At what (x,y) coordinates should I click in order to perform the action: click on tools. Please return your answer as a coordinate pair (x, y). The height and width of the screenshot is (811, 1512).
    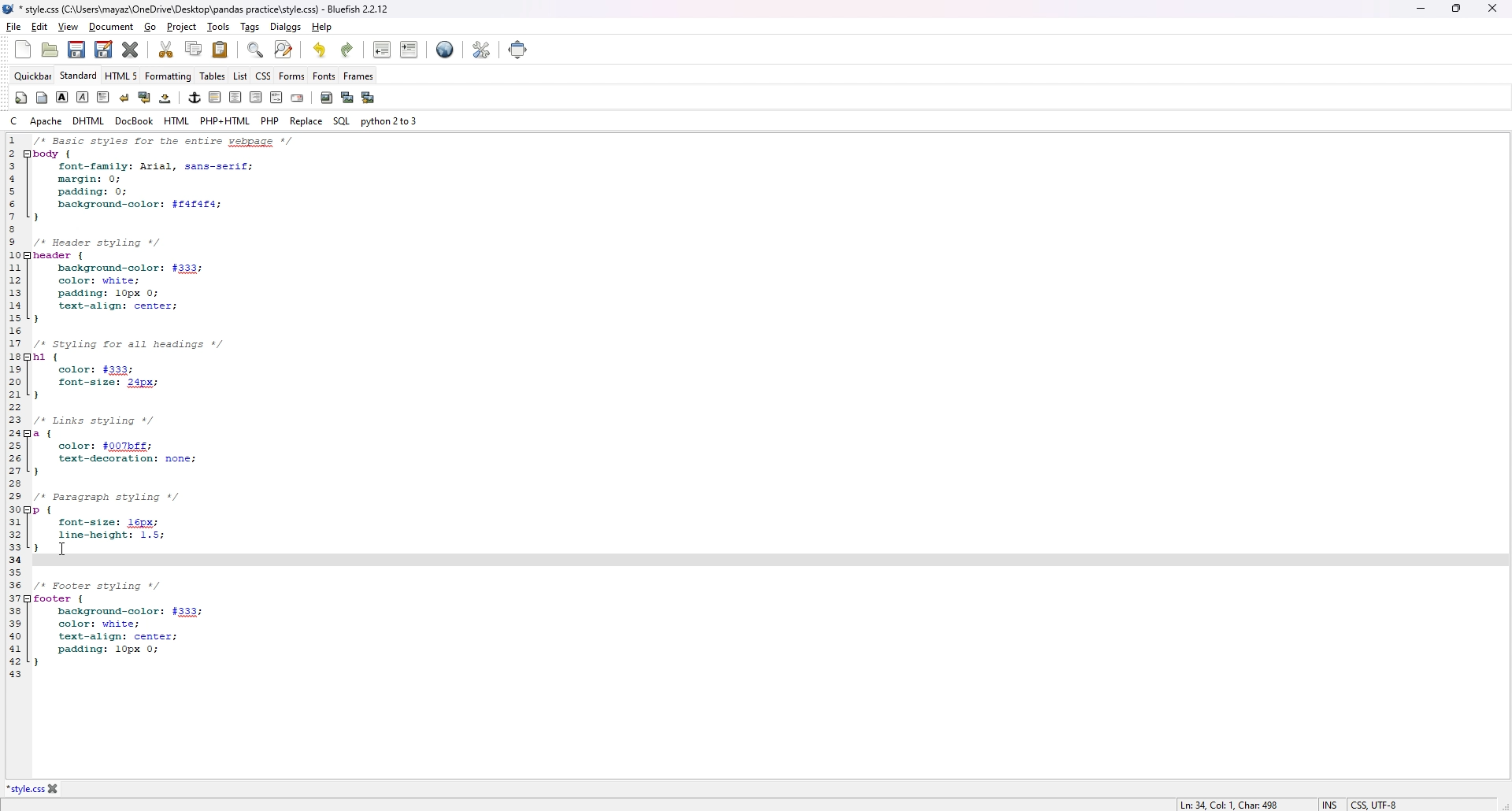
    Looking at the image, I should click on (218, 27).